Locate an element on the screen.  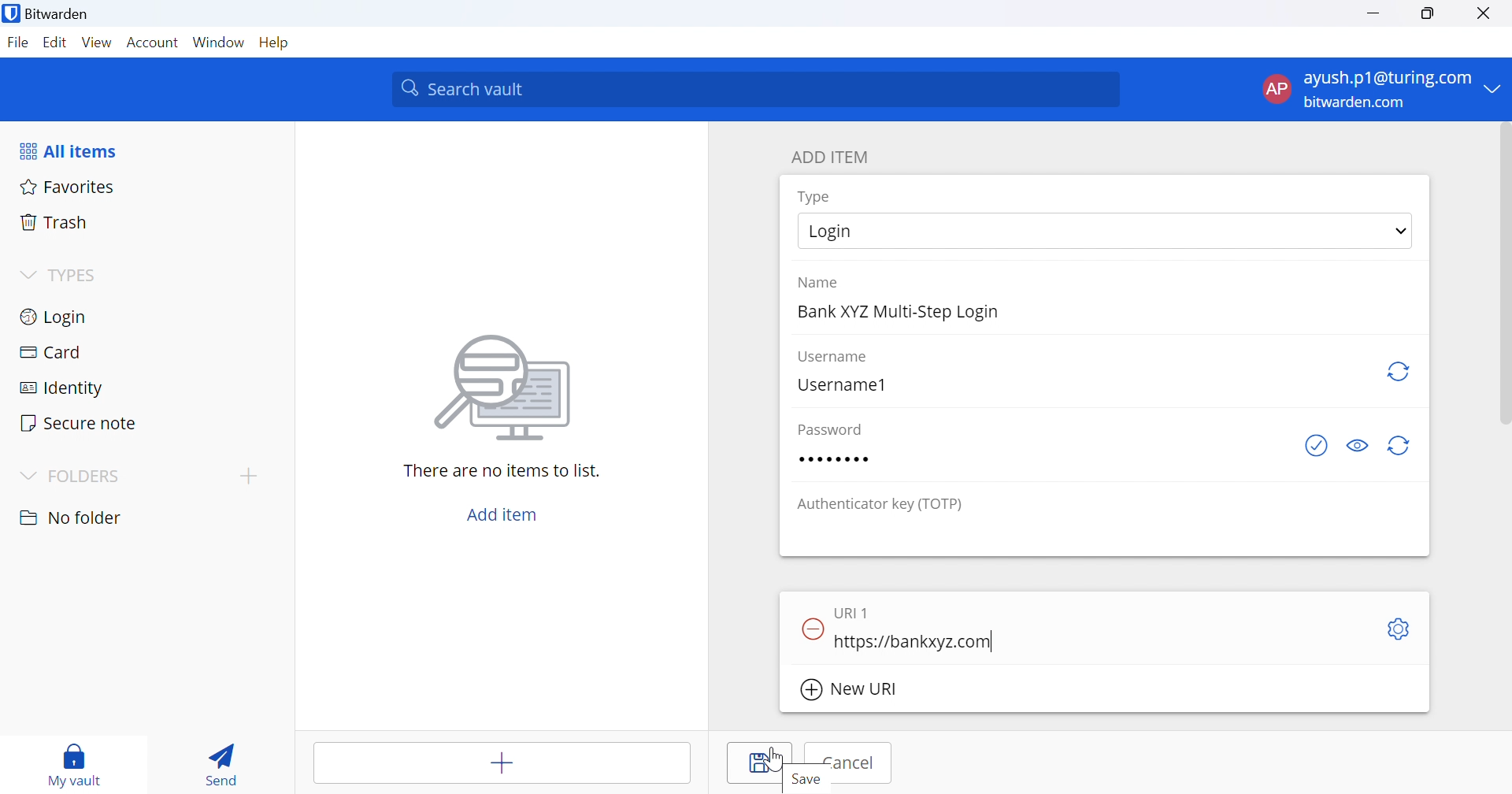
Type is located at coordinates (815, 197).